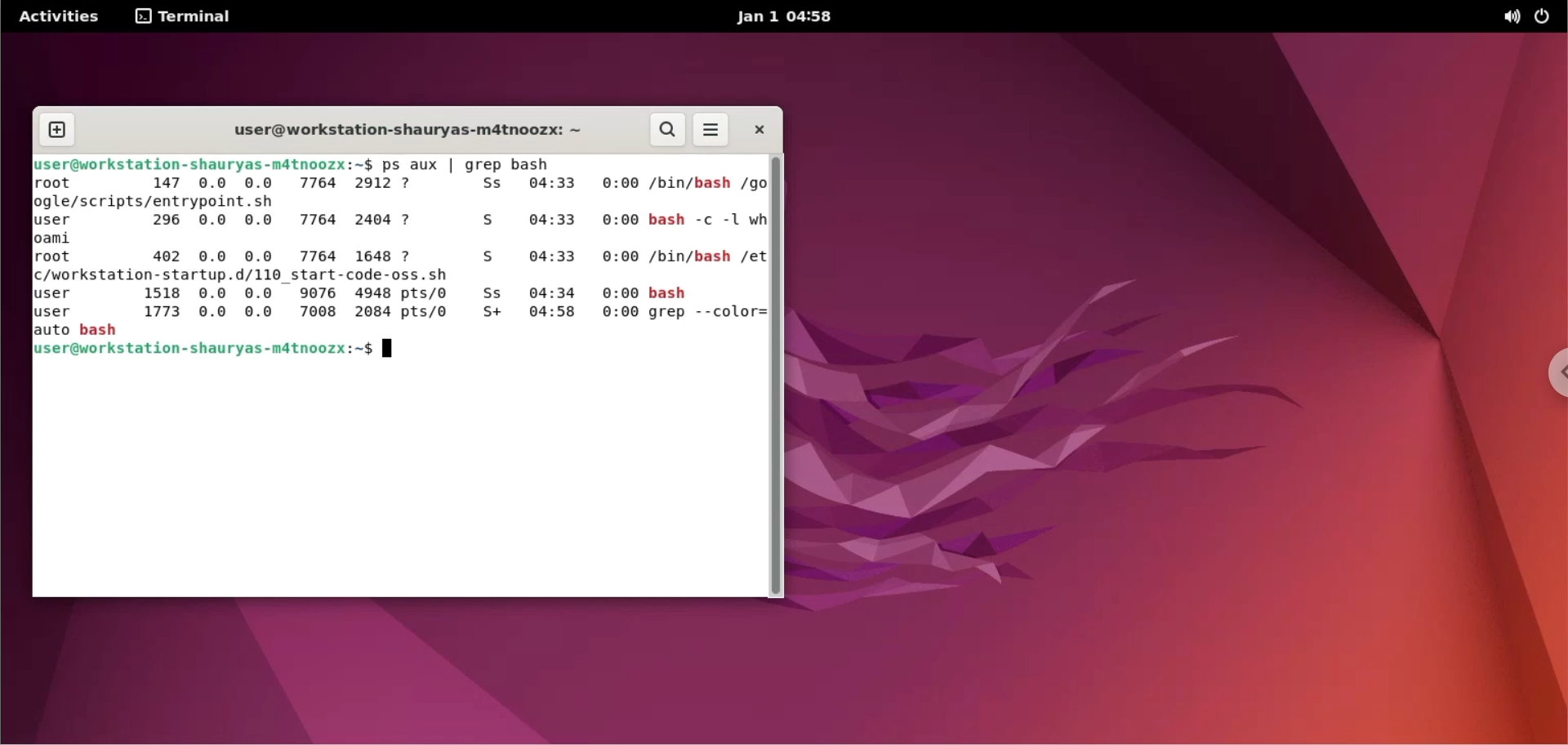  Describe the element at coordinates (227, 354) in the screenshot. I see `user@workstation-shauryas-m4tnoozx: ~$` at that location.